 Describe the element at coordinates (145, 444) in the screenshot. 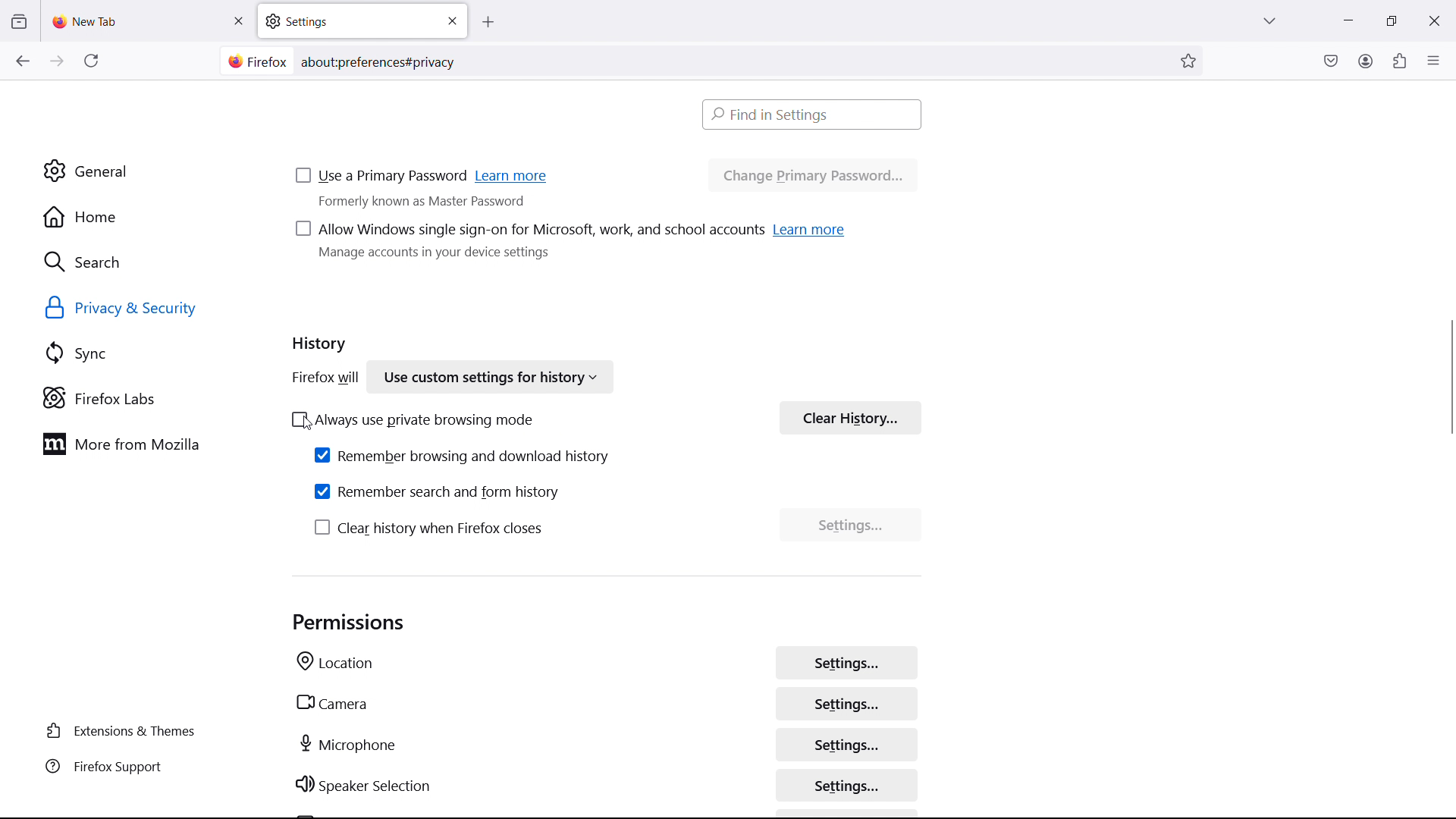

I see `more from mozilla` at that location.